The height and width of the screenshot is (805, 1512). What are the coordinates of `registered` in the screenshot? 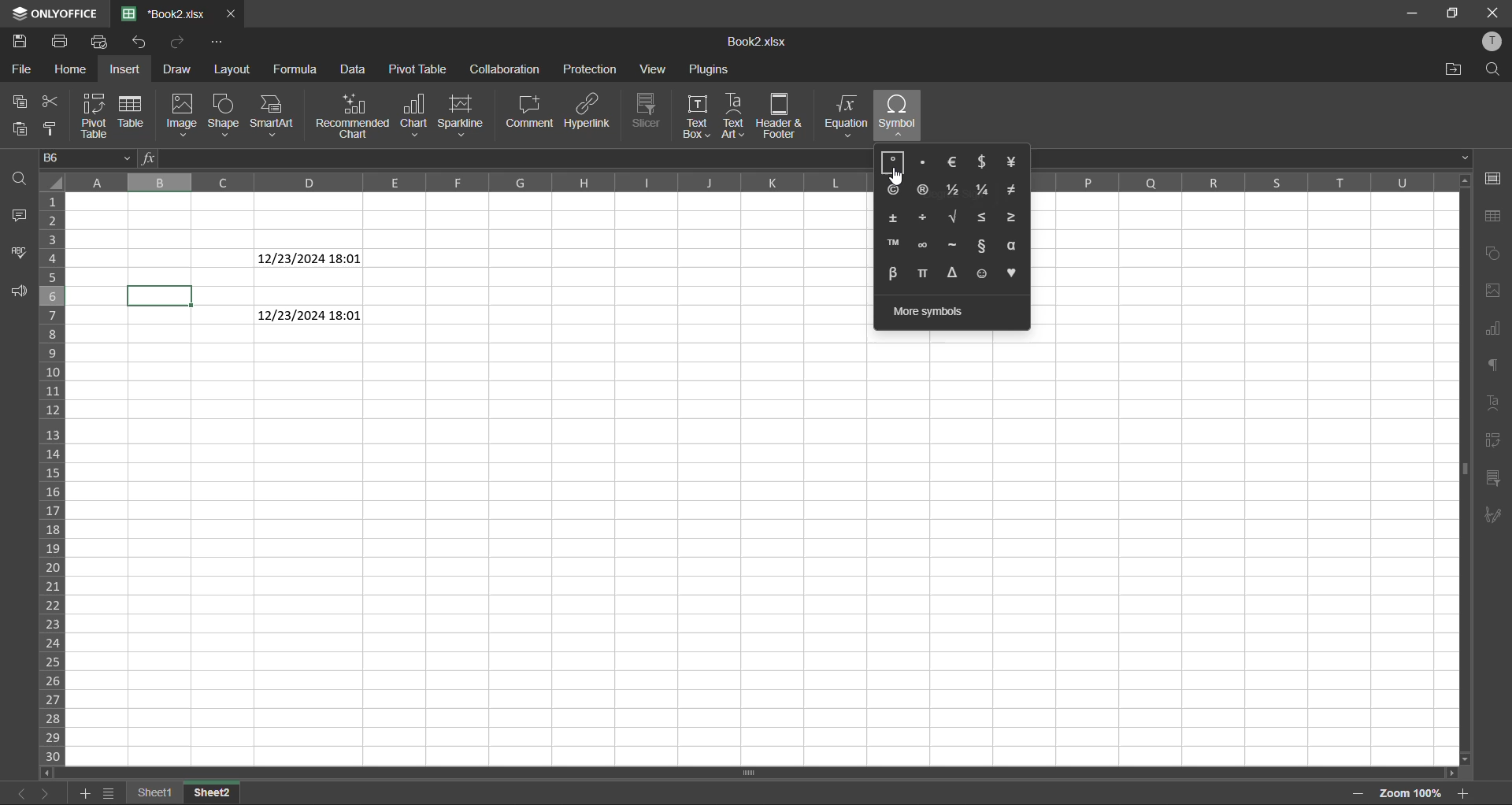 It's located at (921, 192).